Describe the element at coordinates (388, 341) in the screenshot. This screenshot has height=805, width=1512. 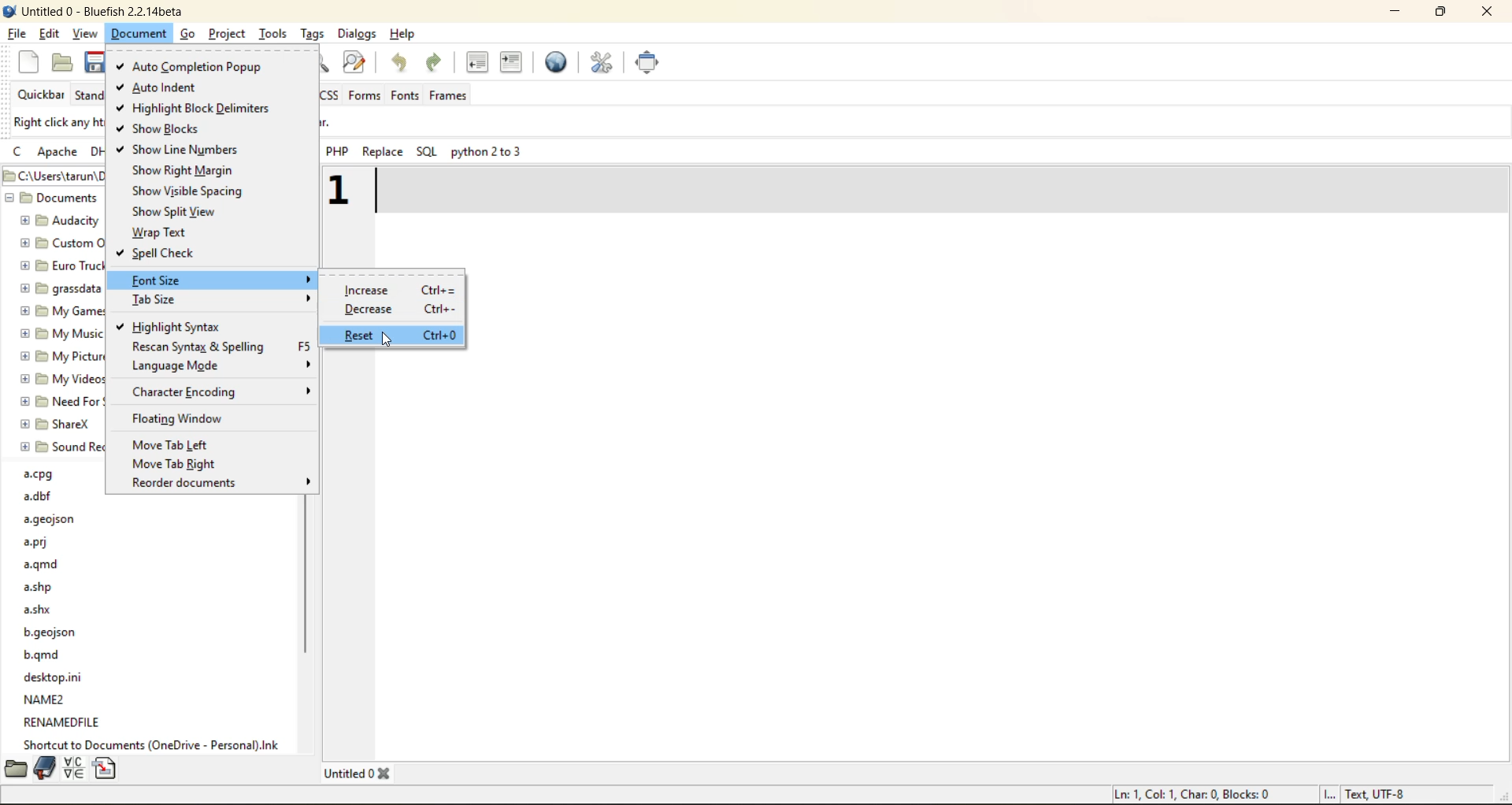
I see `cursor` at that location.